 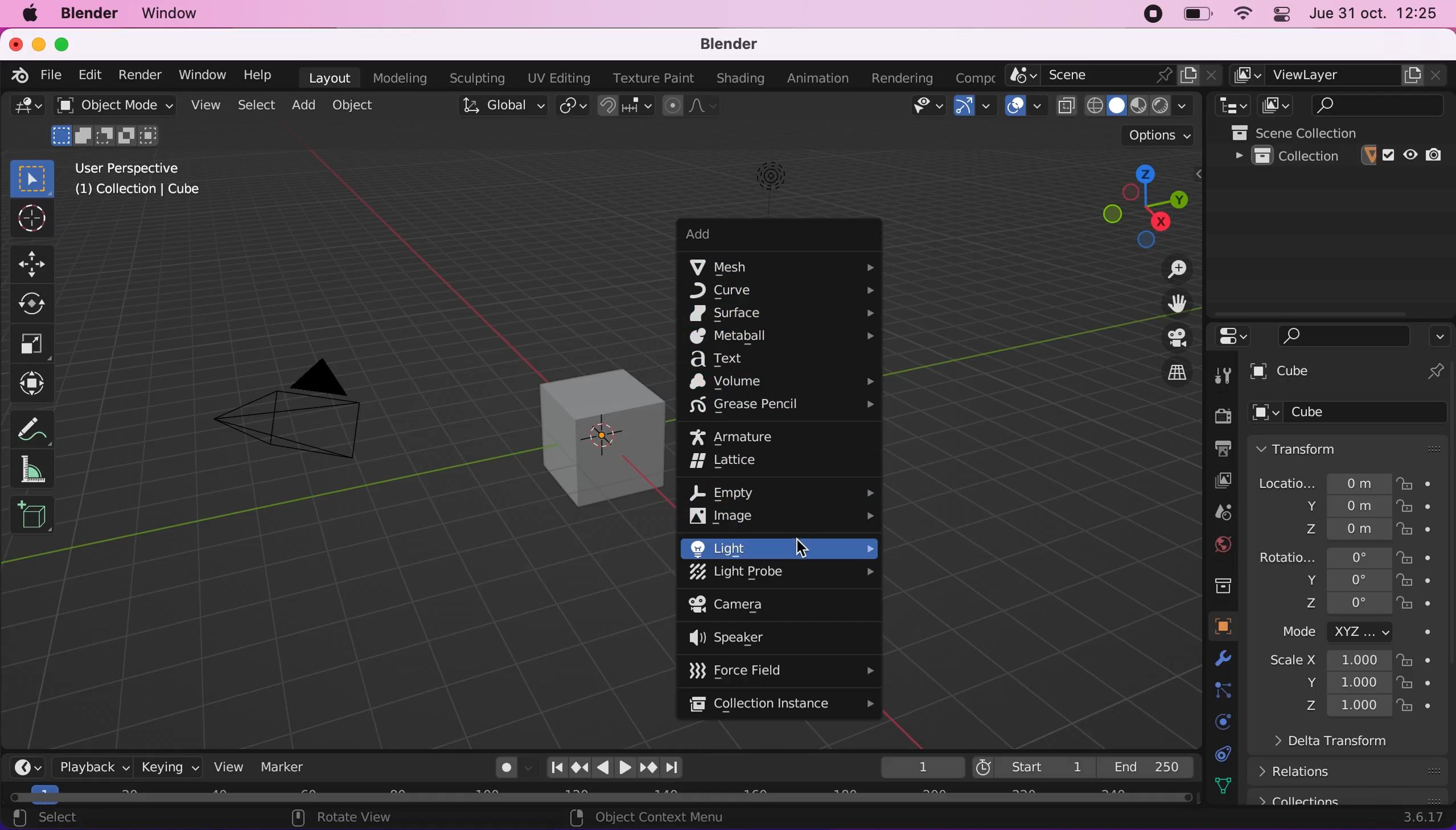 I want to click on options, so click(x=1159, y=135).